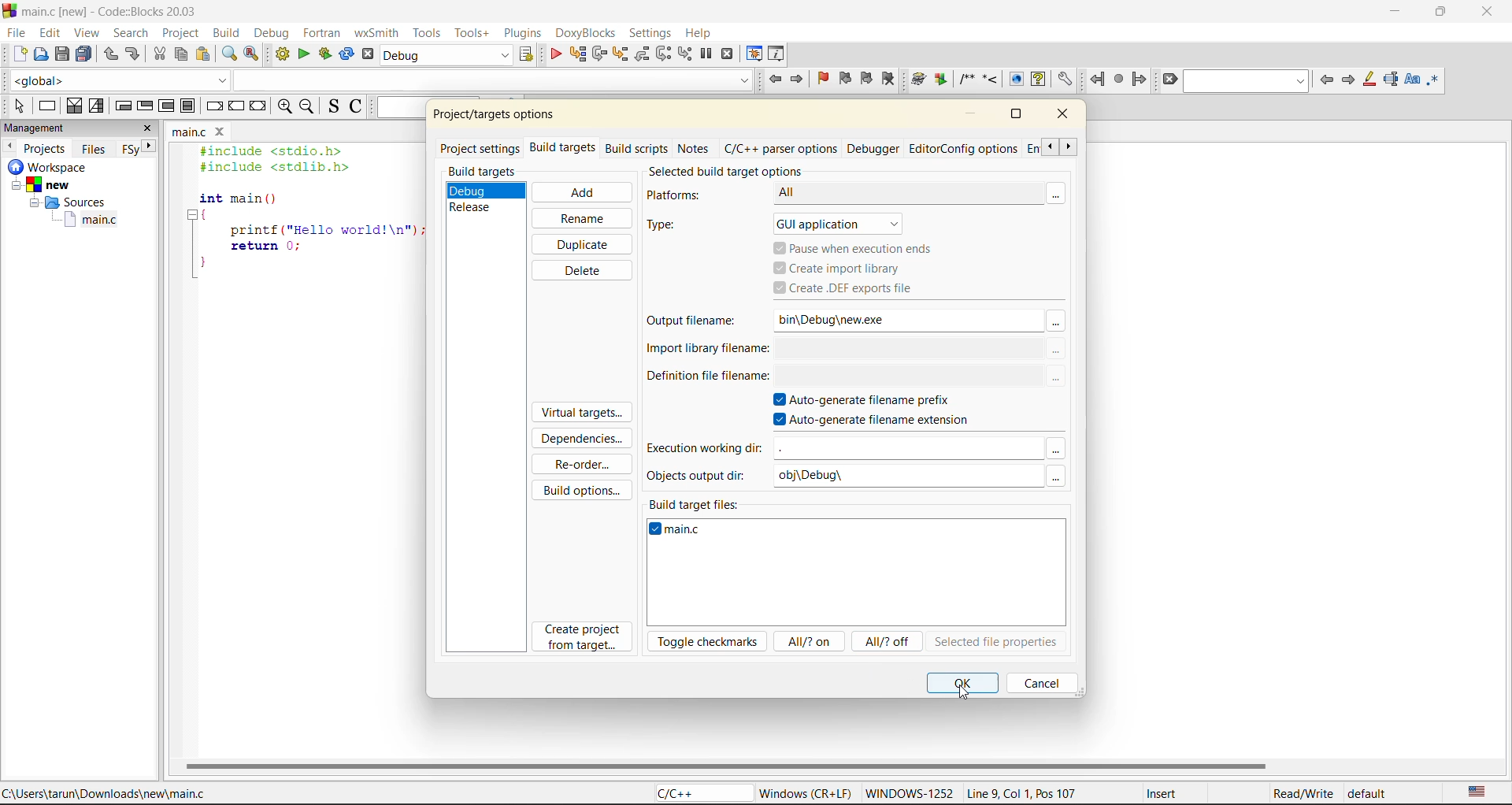 The height and width of the screenshot is (805, 1512). I want to click on next line, so click(599, 53).